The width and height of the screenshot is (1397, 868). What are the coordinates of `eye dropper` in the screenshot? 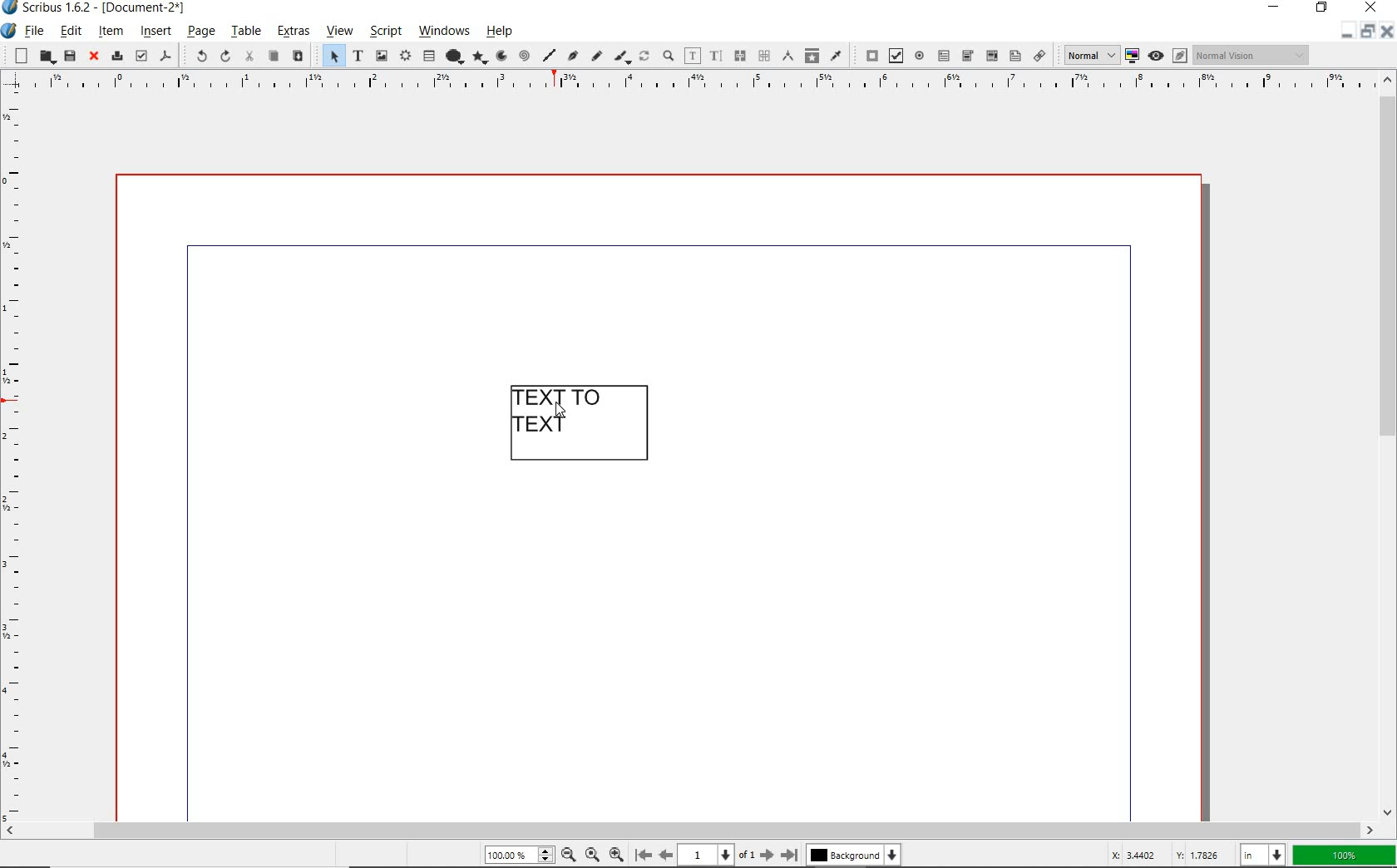 It's located at (838, 57).